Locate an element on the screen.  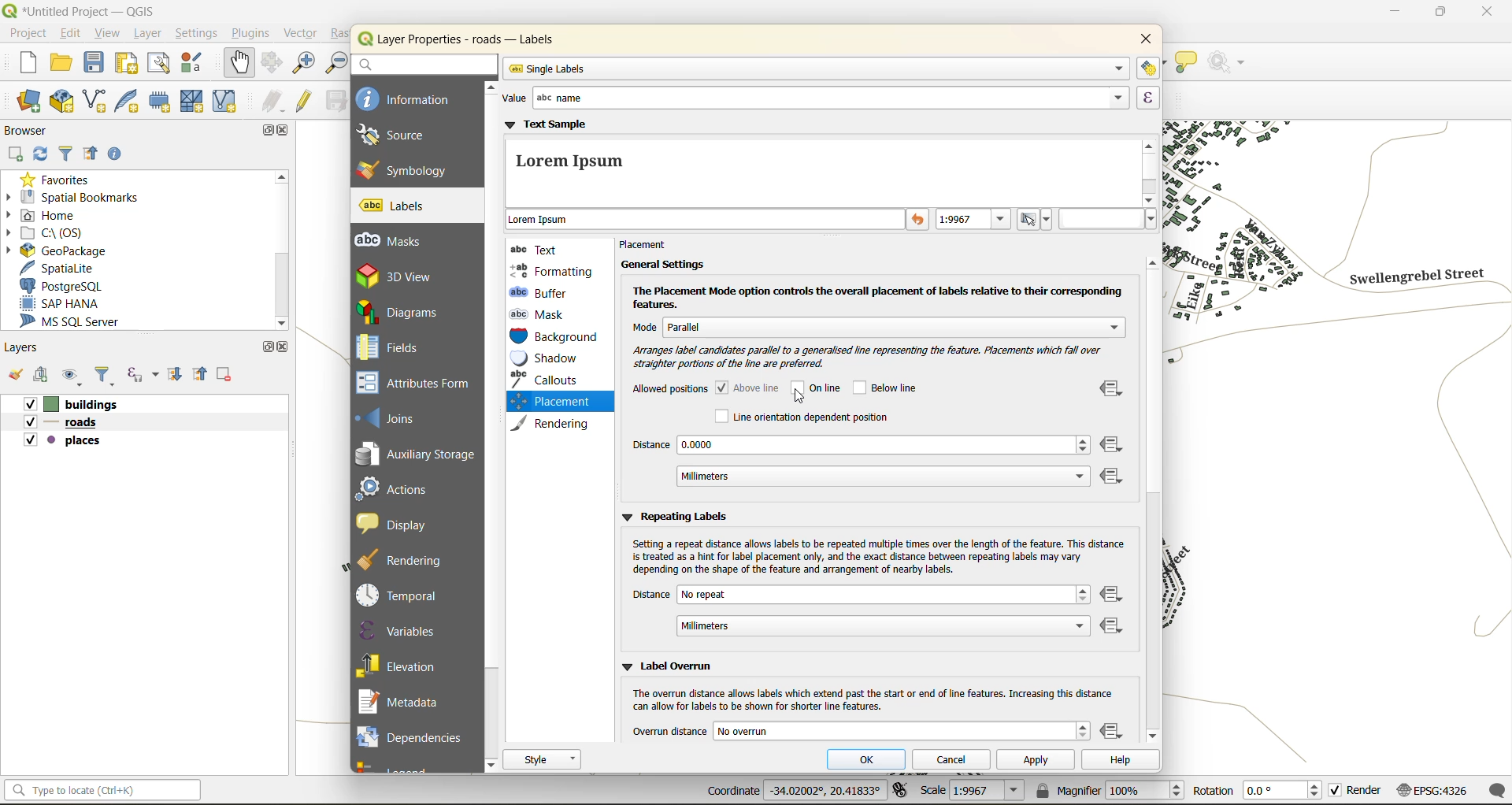
hex is located at coordinates (1108, 219).